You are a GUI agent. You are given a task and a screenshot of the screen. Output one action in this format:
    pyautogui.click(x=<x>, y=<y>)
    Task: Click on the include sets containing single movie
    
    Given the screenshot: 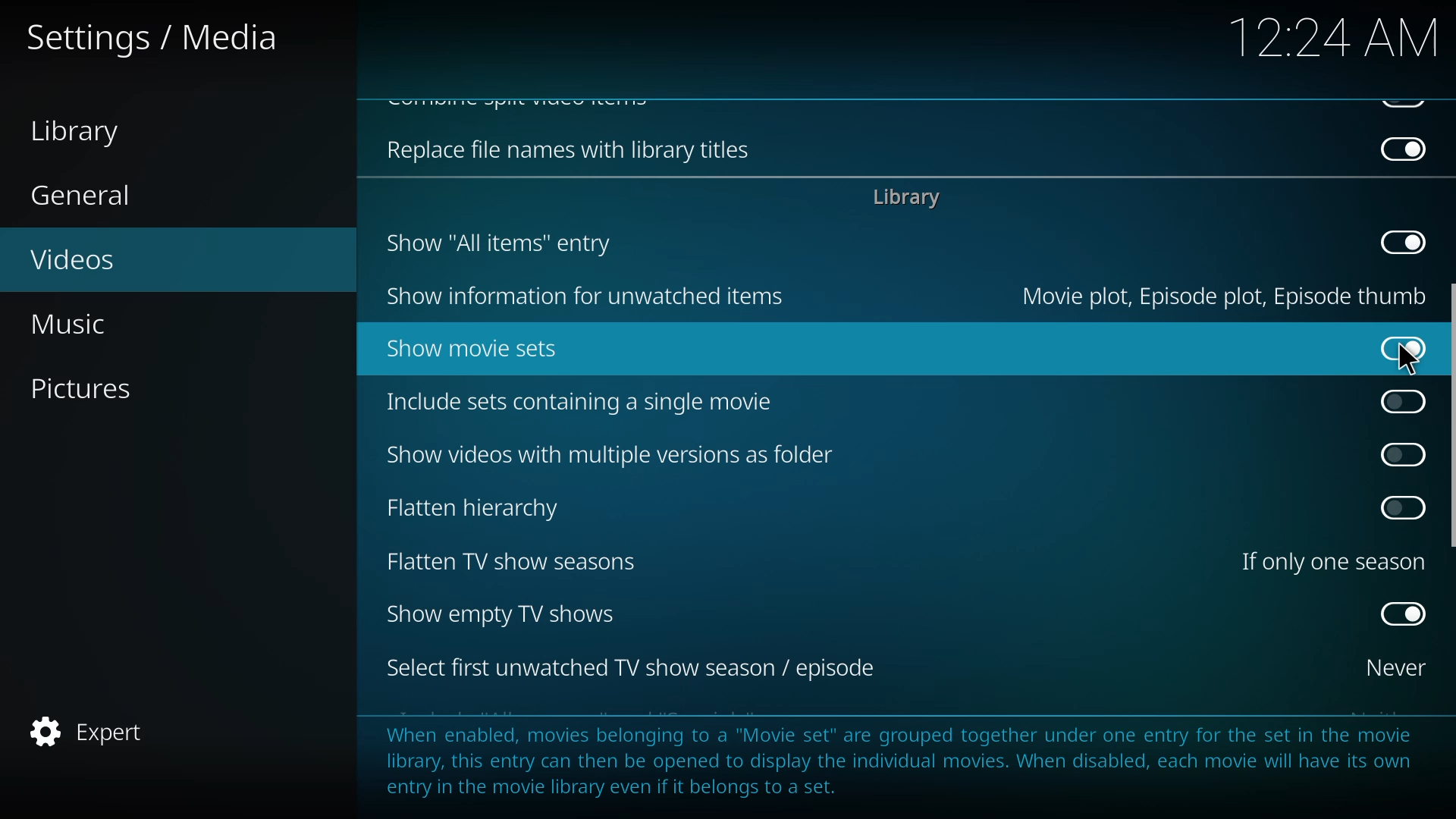 What is the action you would take?
    pyautogui.click(x=570, y=403)
    